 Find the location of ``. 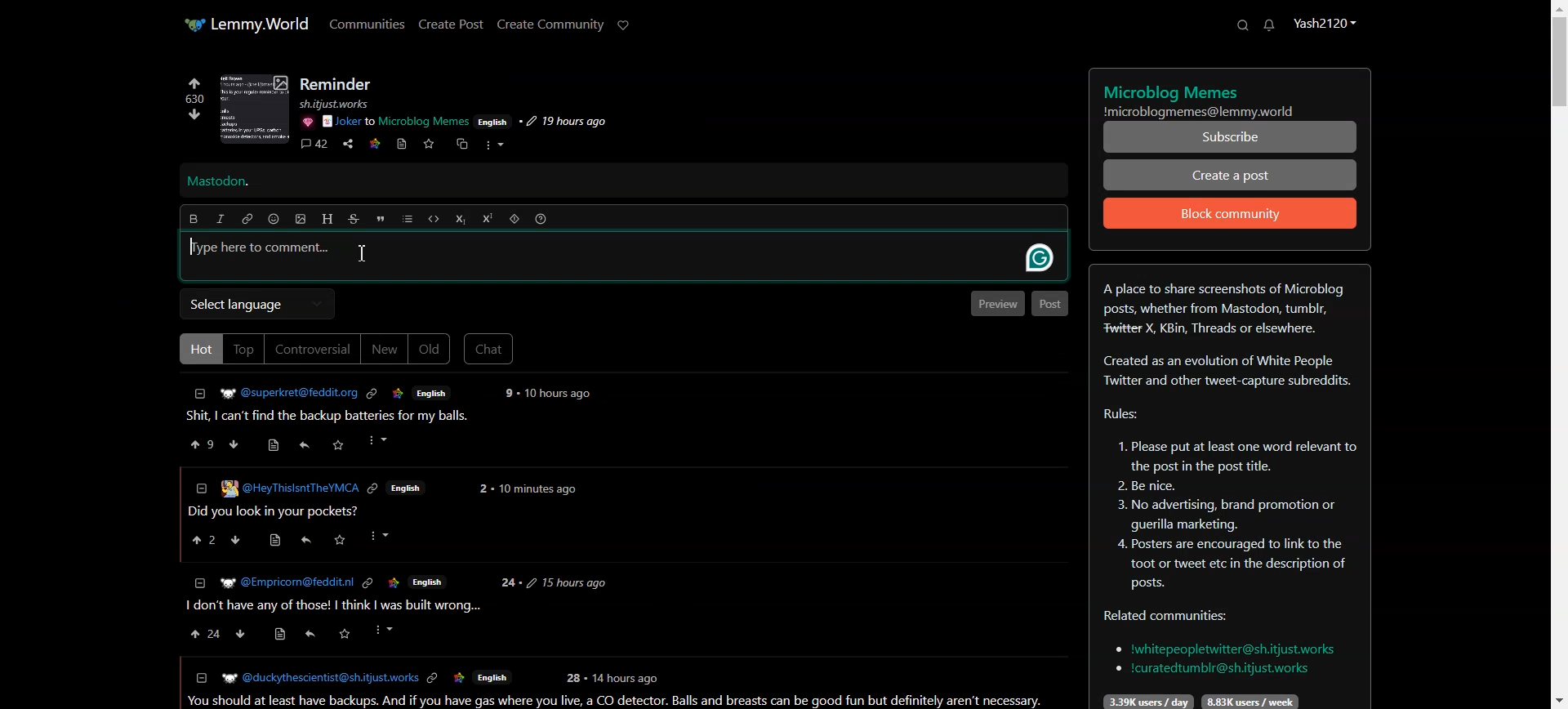

 is located at coordinates (272, 541).